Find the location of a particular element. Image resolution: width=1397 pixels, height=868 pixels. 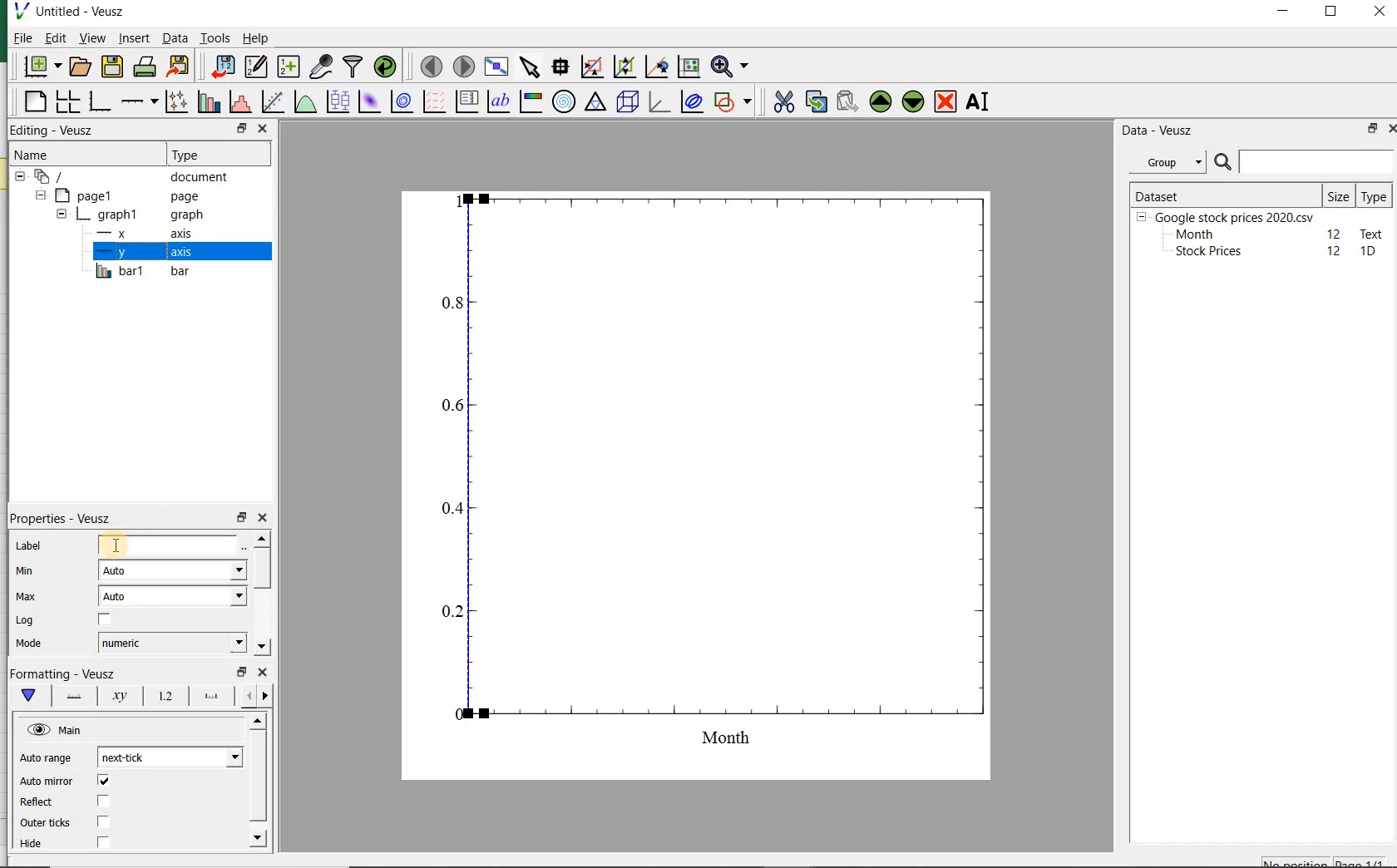

blank page is located at coordinates (34, 104).